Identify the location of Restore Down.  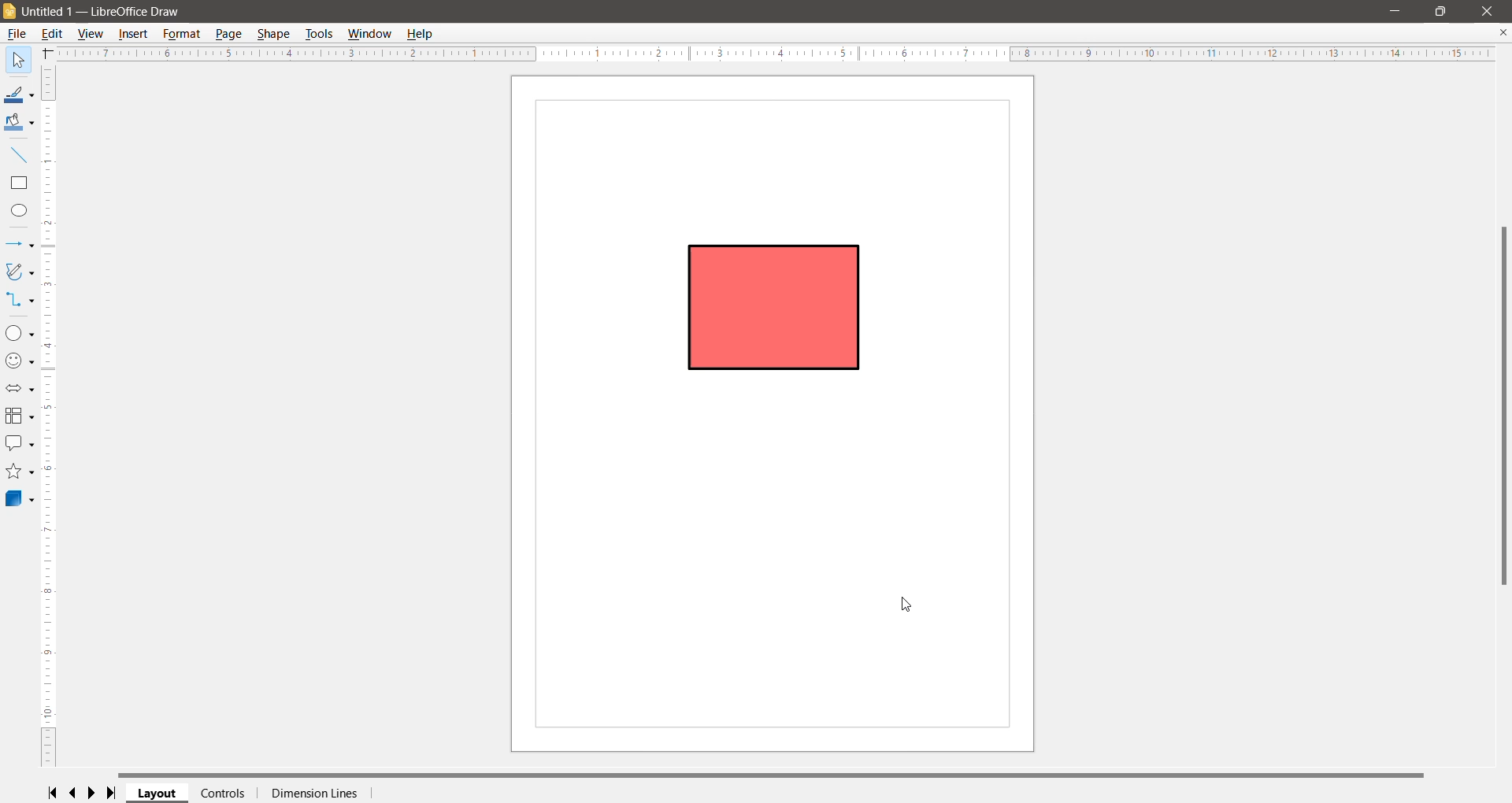
(1442, 12).